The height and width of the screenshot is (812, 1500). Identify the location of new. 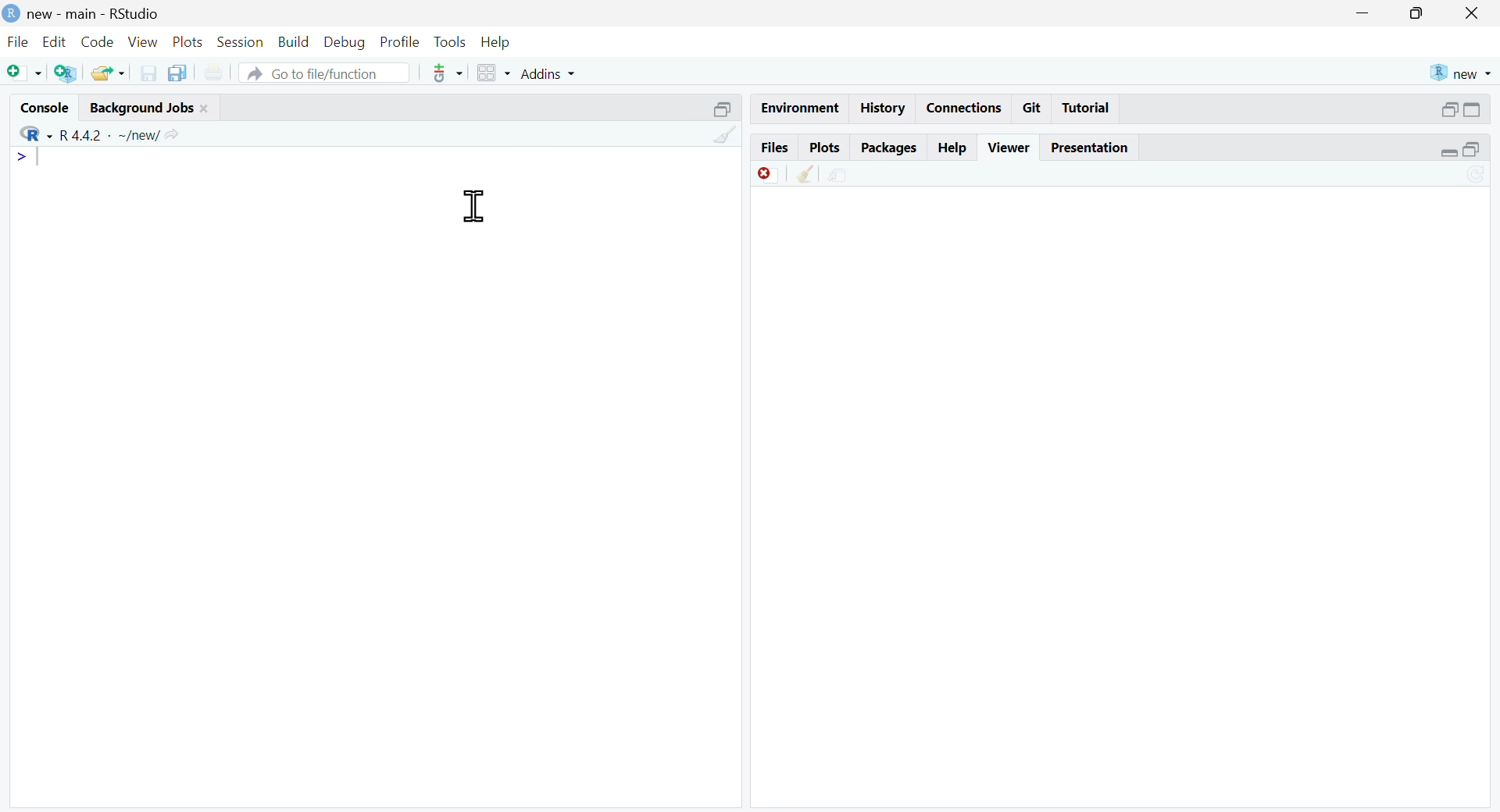
(1460, 74).